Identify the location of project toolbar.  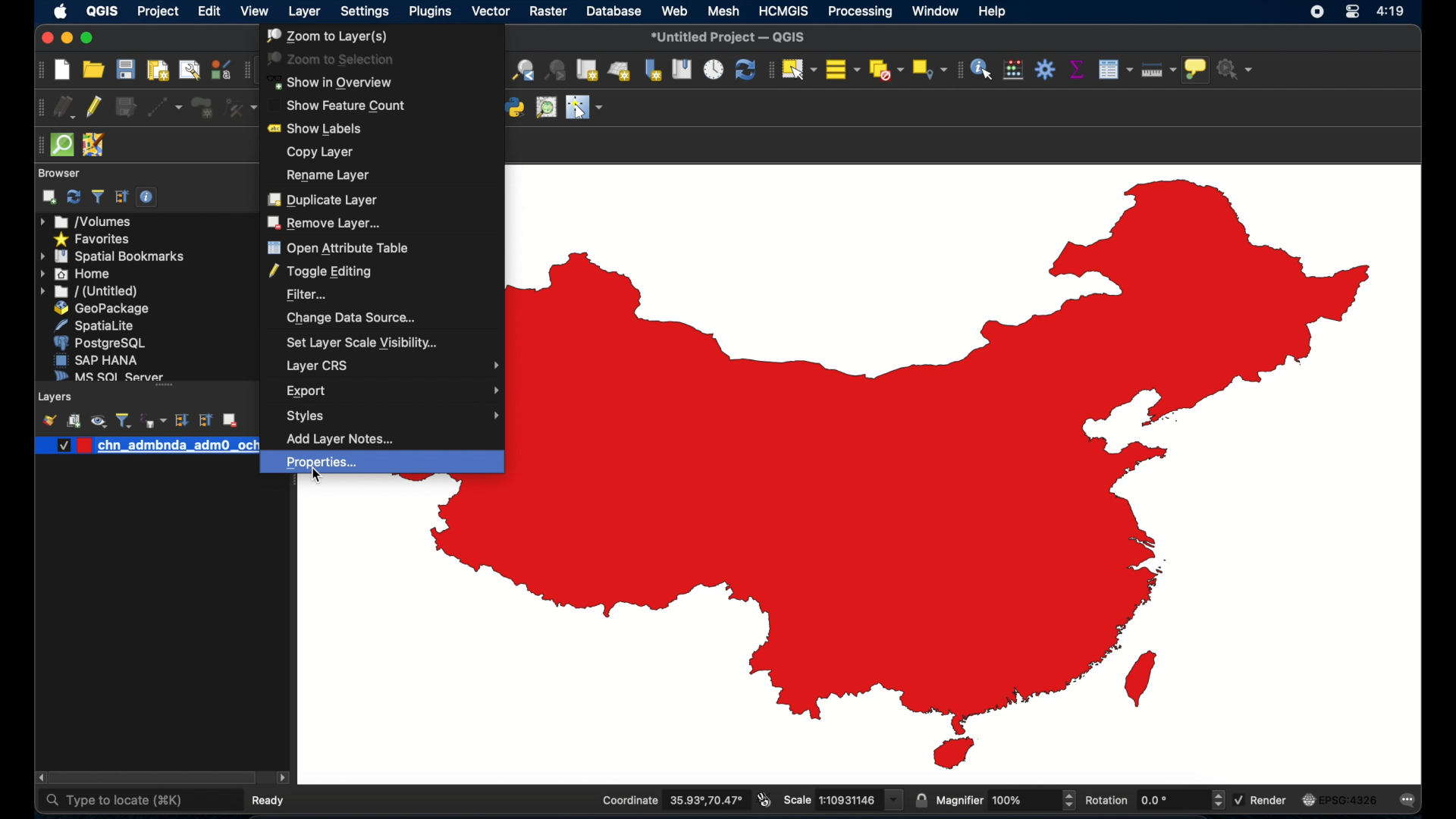
(39, 70).